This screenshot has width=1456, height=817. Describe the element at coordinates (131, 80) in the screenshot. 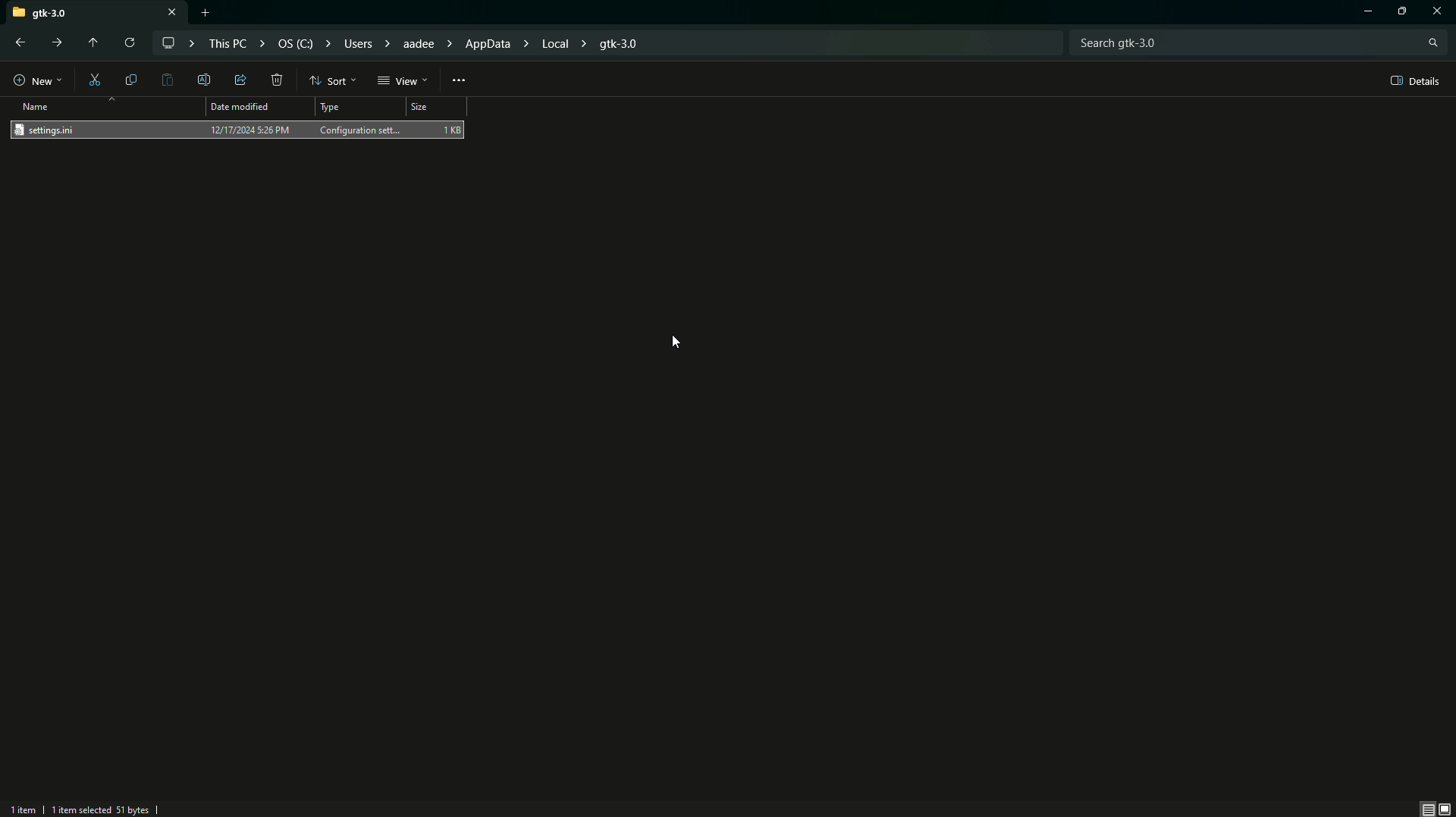

I see `Copy` at that location.